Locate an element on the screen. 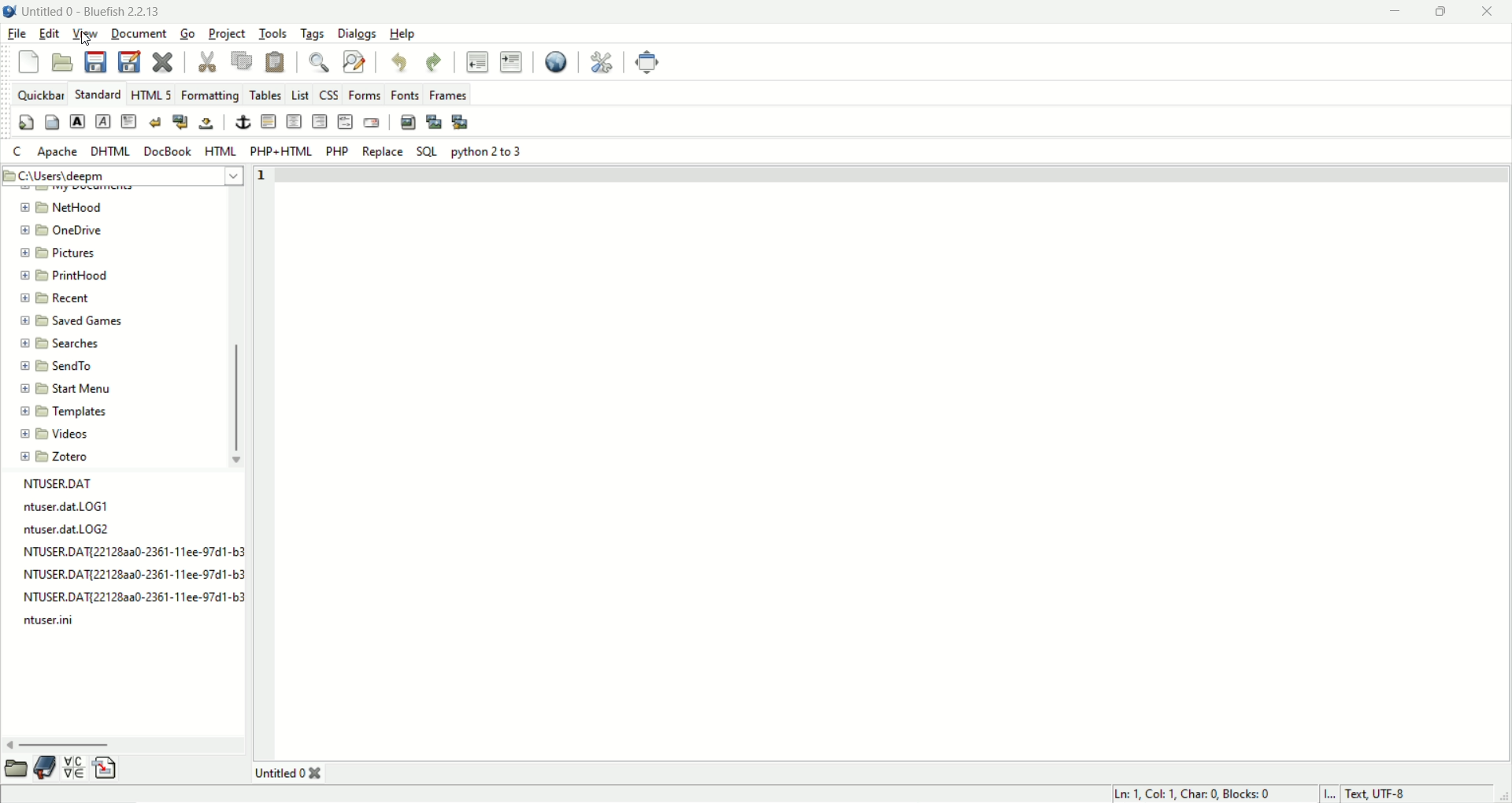  close current file is located at coordinates (166, 63).